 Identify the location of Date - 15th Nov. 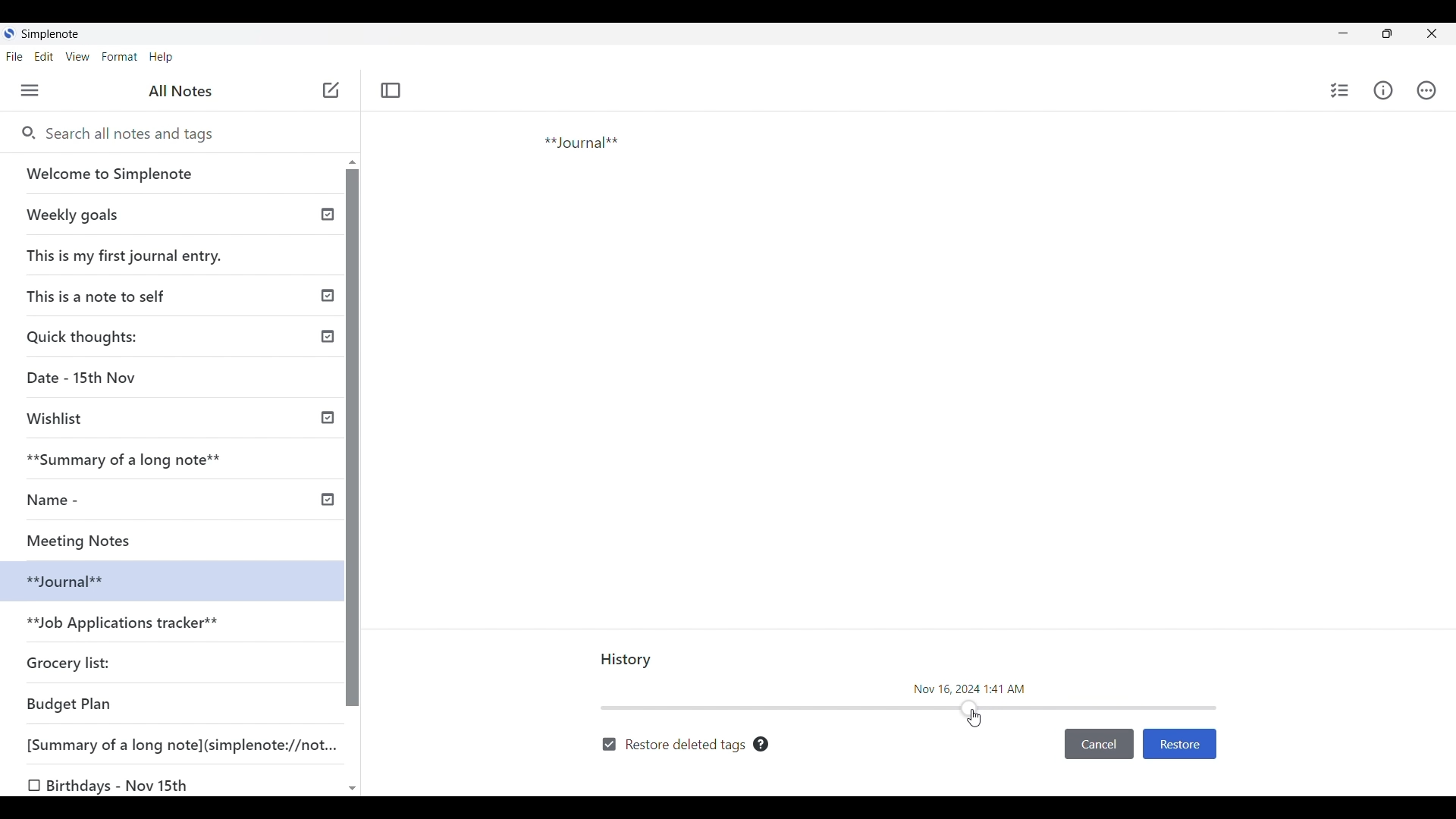
(84, 378).